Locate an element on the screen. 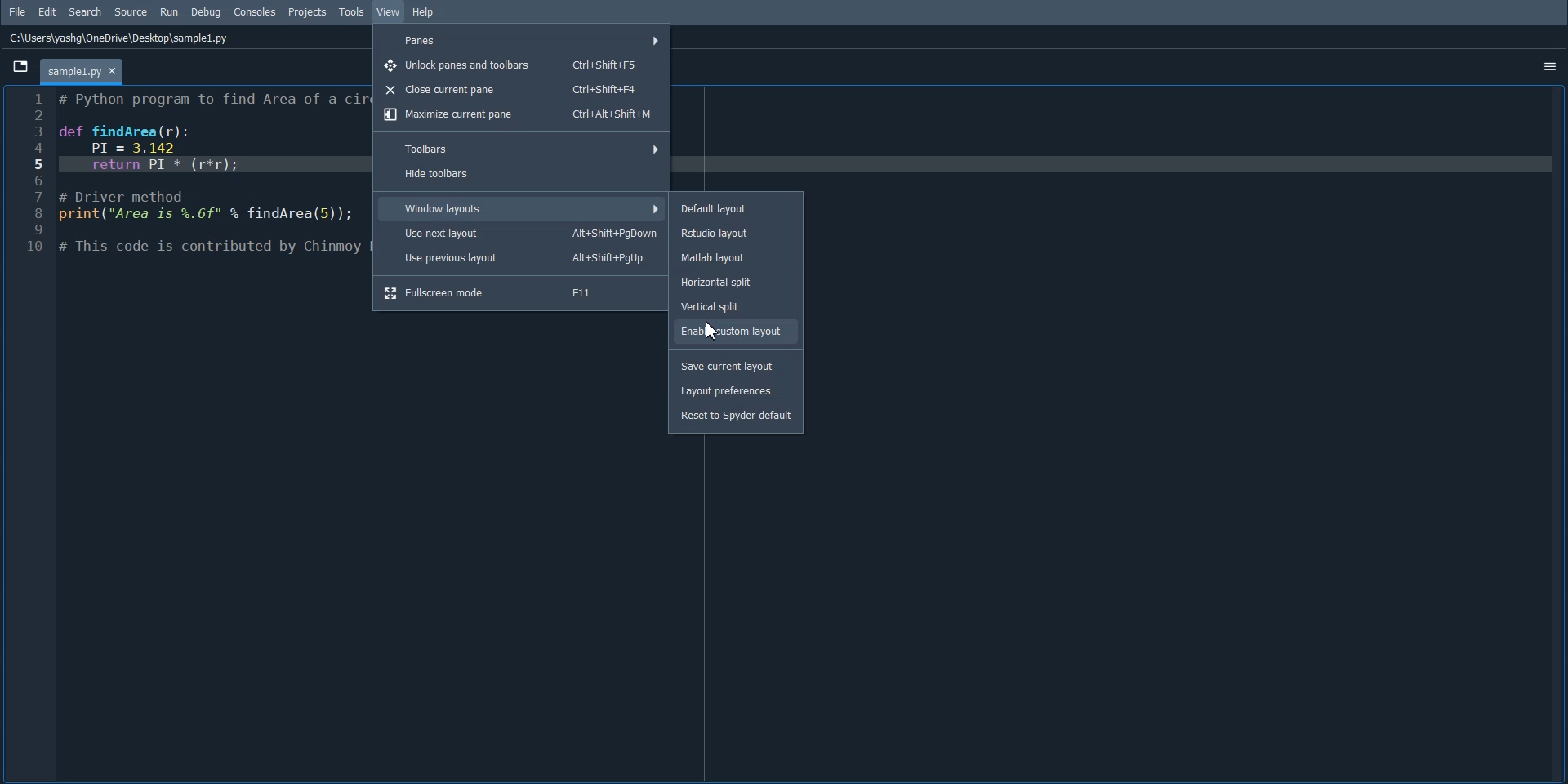 The height and width of the screenshot is (784, 1568). Hide toolbars is located at coordinates (521, 175).